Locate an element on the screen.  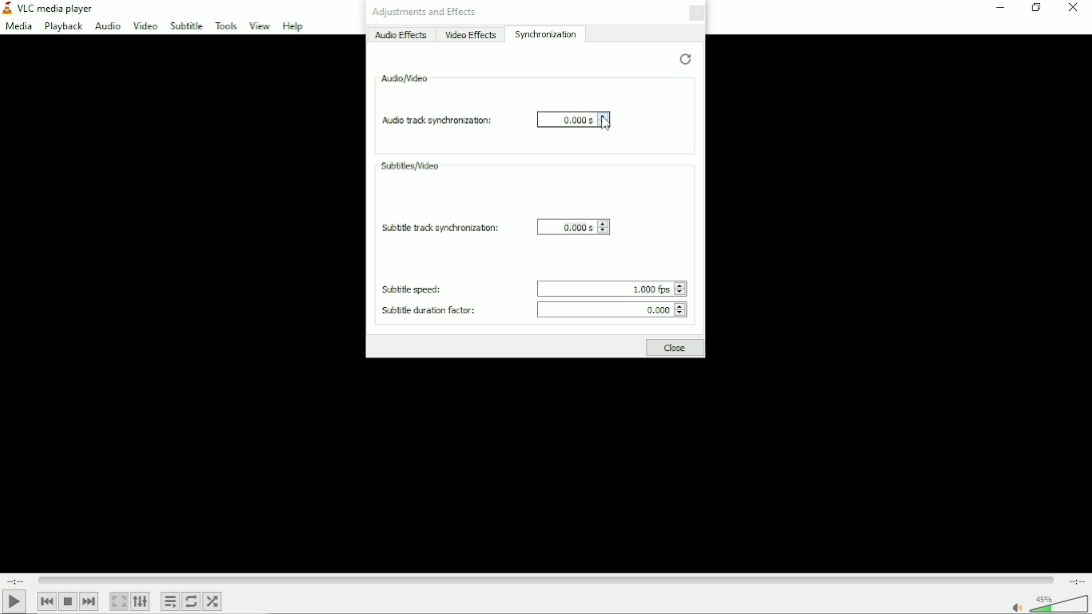
Toggle video in fullscreen is located at coordinates (119, 601).